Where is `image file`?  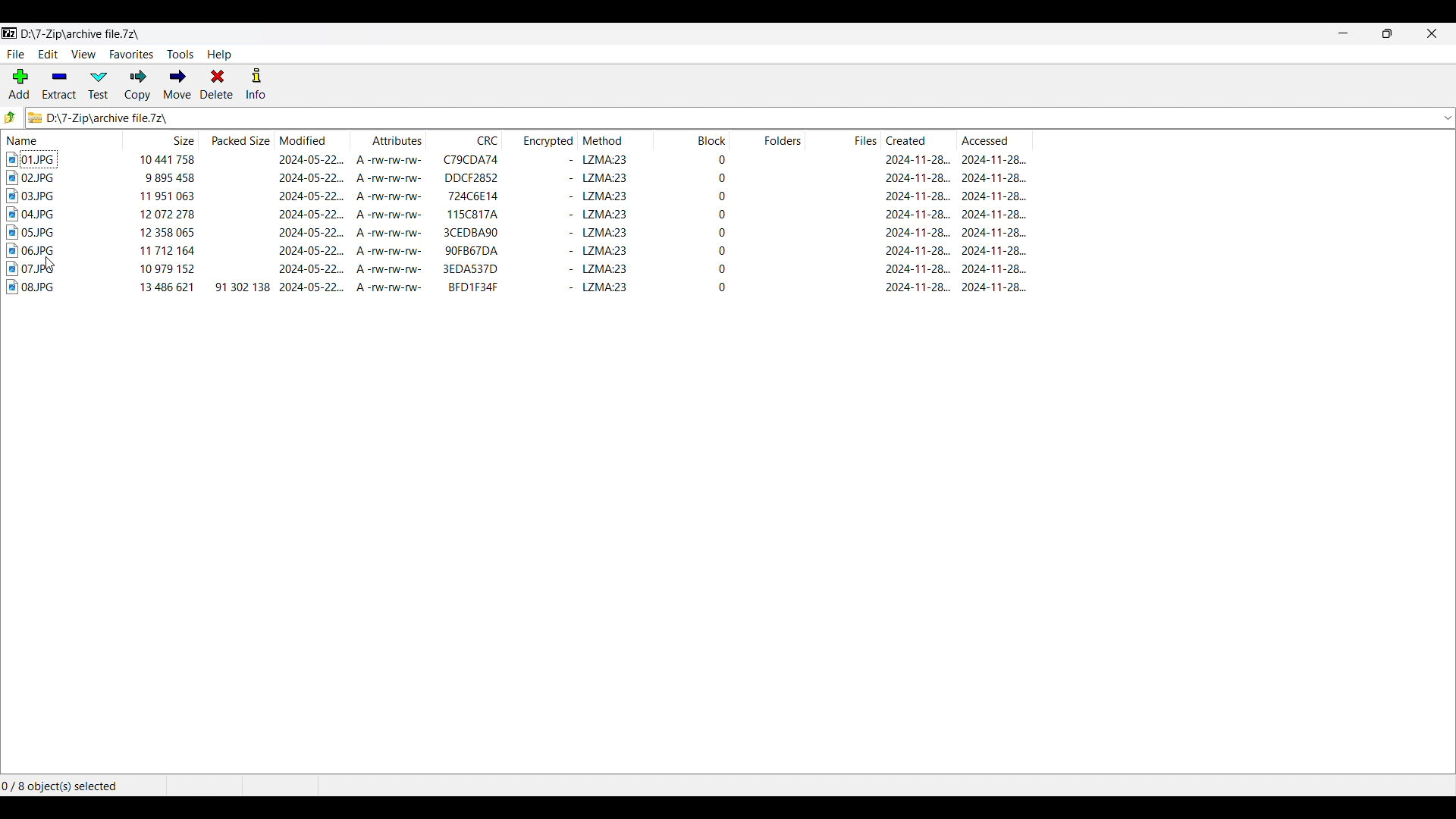 image file is located at coordinates (30, 233).